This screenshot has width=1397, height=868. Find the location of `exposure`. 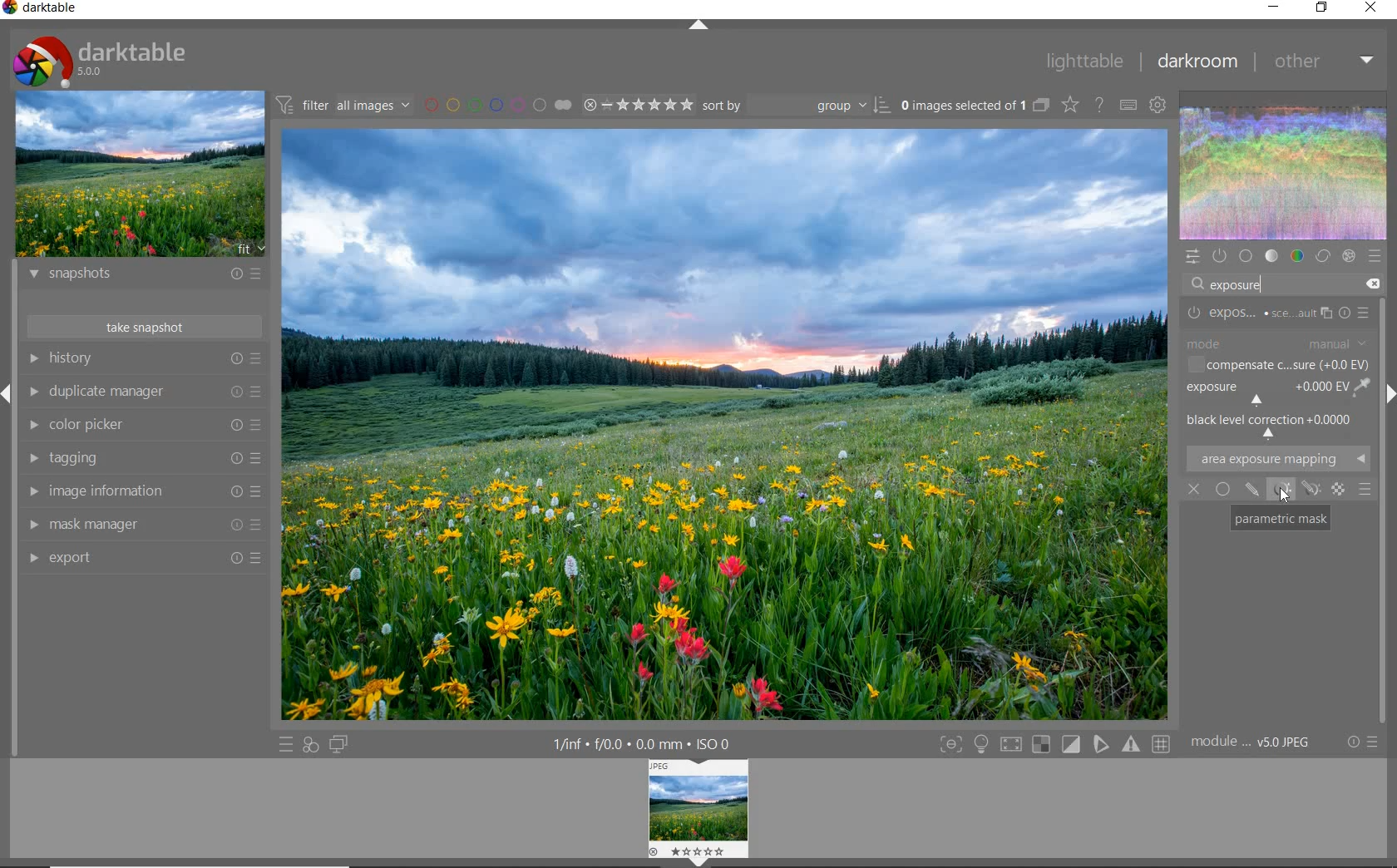

exposure is located at coordinates (1242, 285).